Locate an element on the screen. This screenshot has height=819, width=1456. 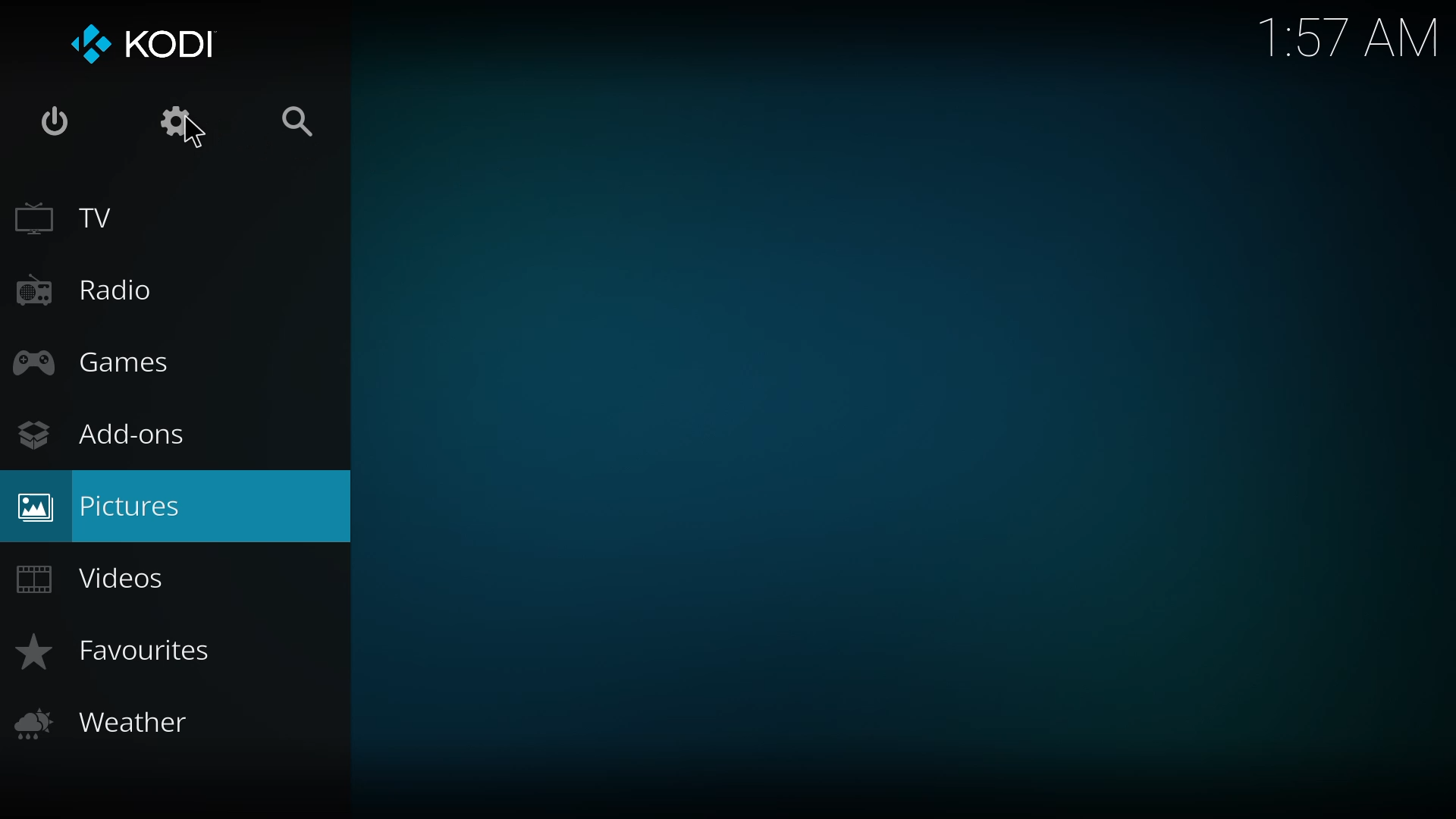
time is located at coordinates (1345, 35).